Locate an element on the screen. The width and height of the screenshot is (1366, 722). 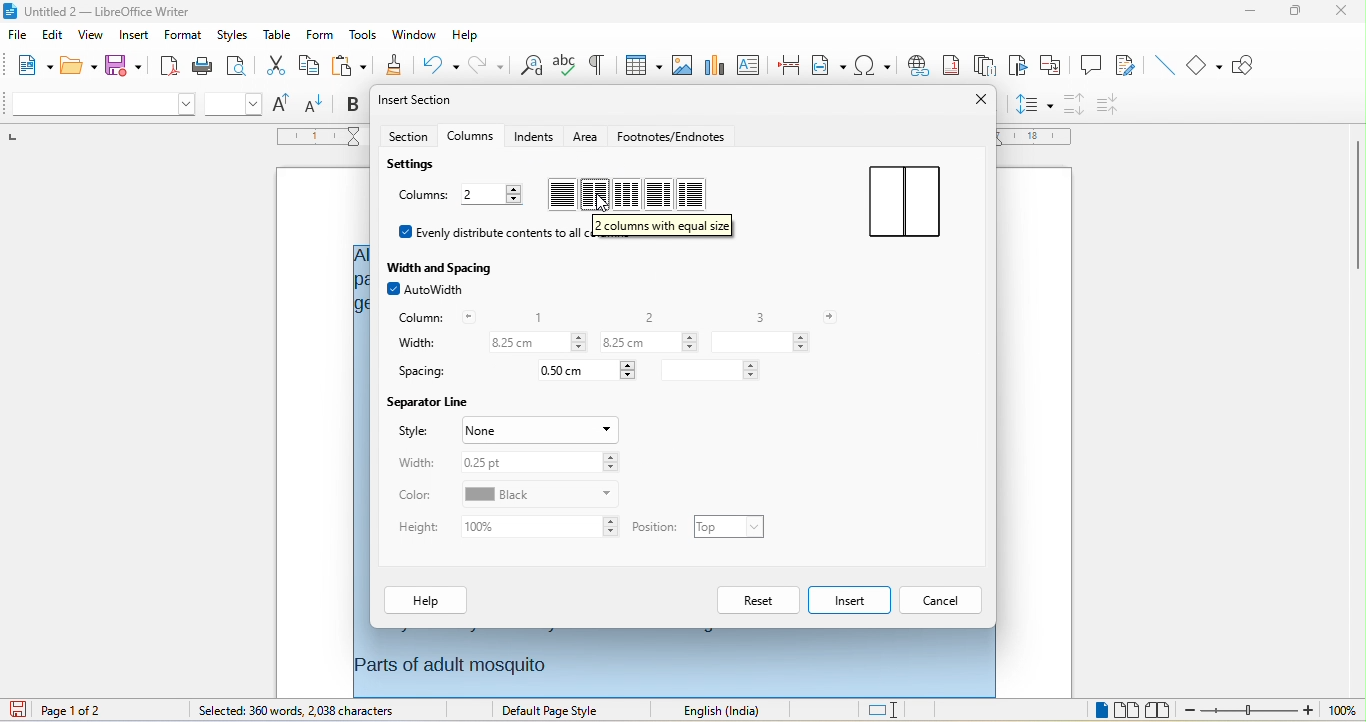
field is located at coordinates (829, 65).